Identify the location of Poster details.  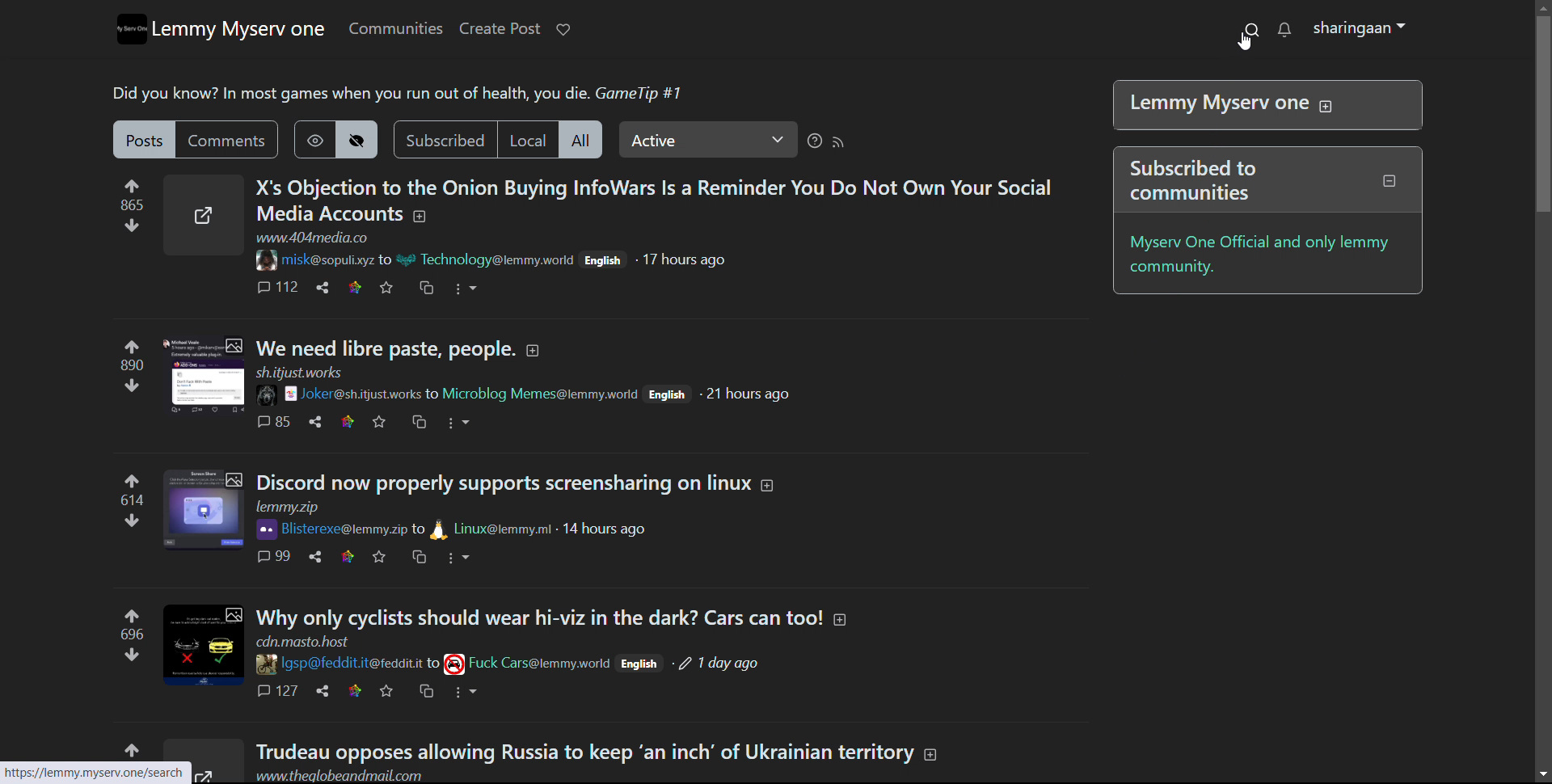
(453, 394).